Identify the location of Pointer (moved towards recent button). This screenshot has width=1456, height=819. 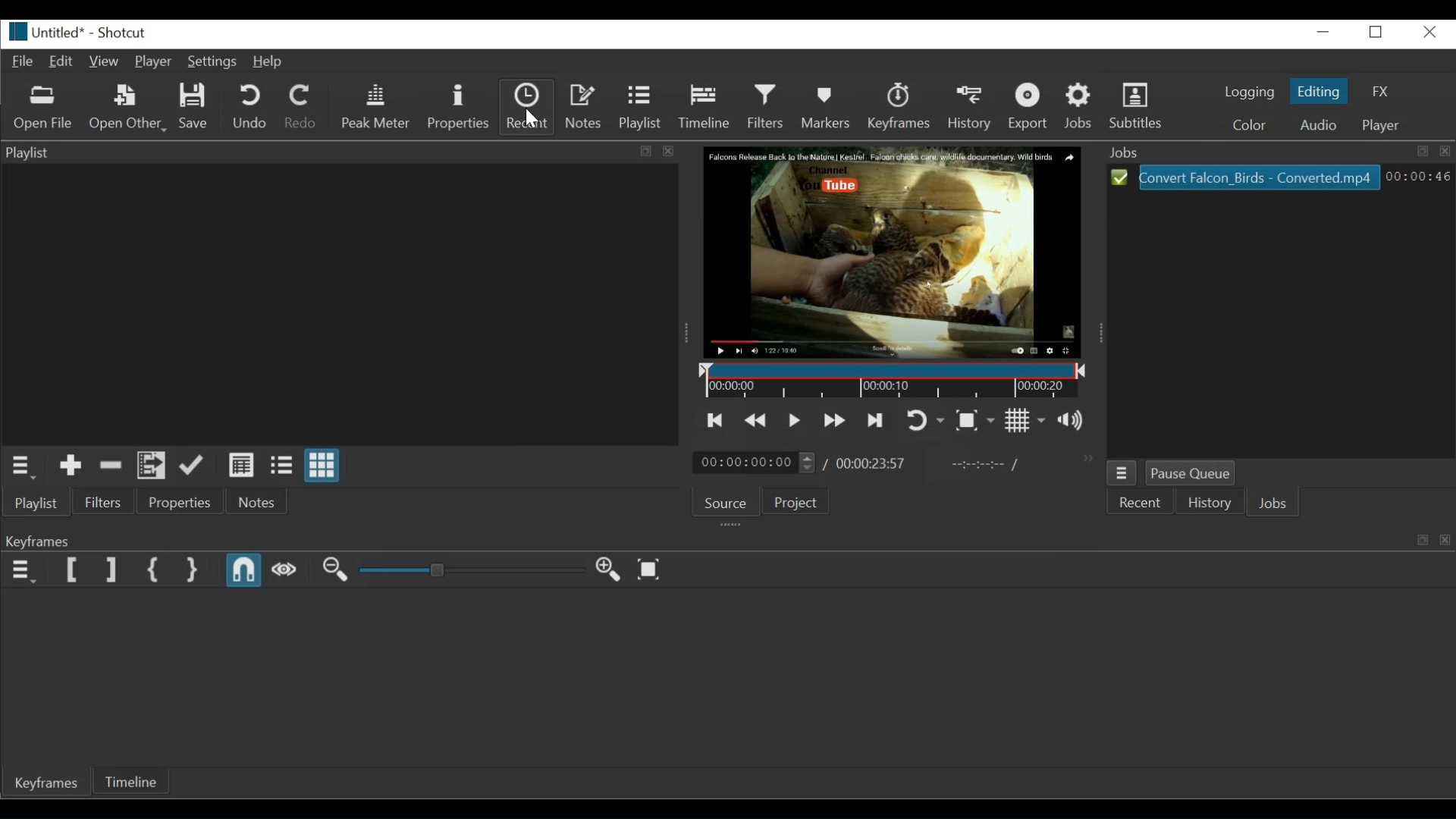
(533, 120).